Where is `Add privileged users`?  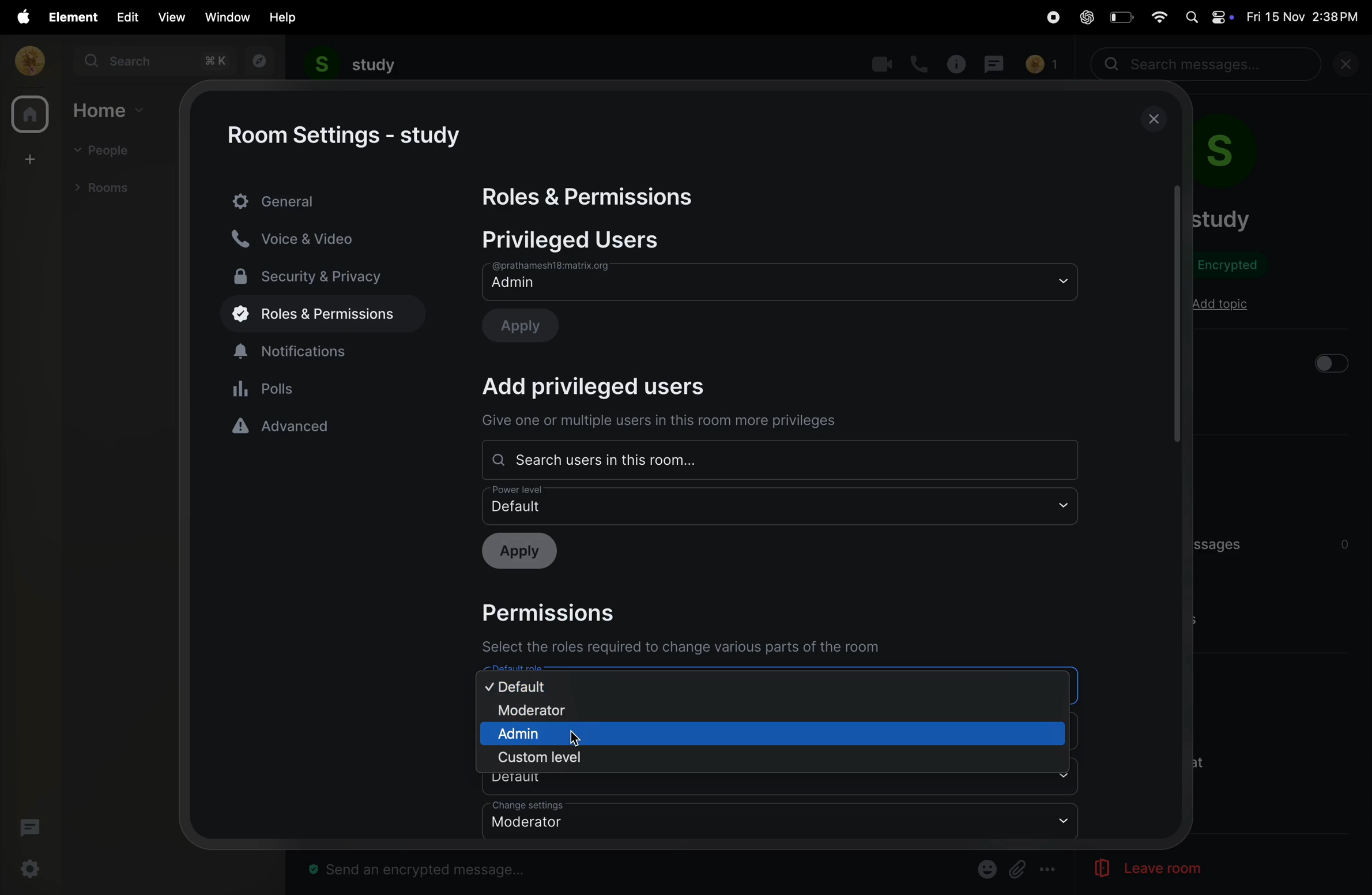
Add privileged users is located at coordinates (609, 387).